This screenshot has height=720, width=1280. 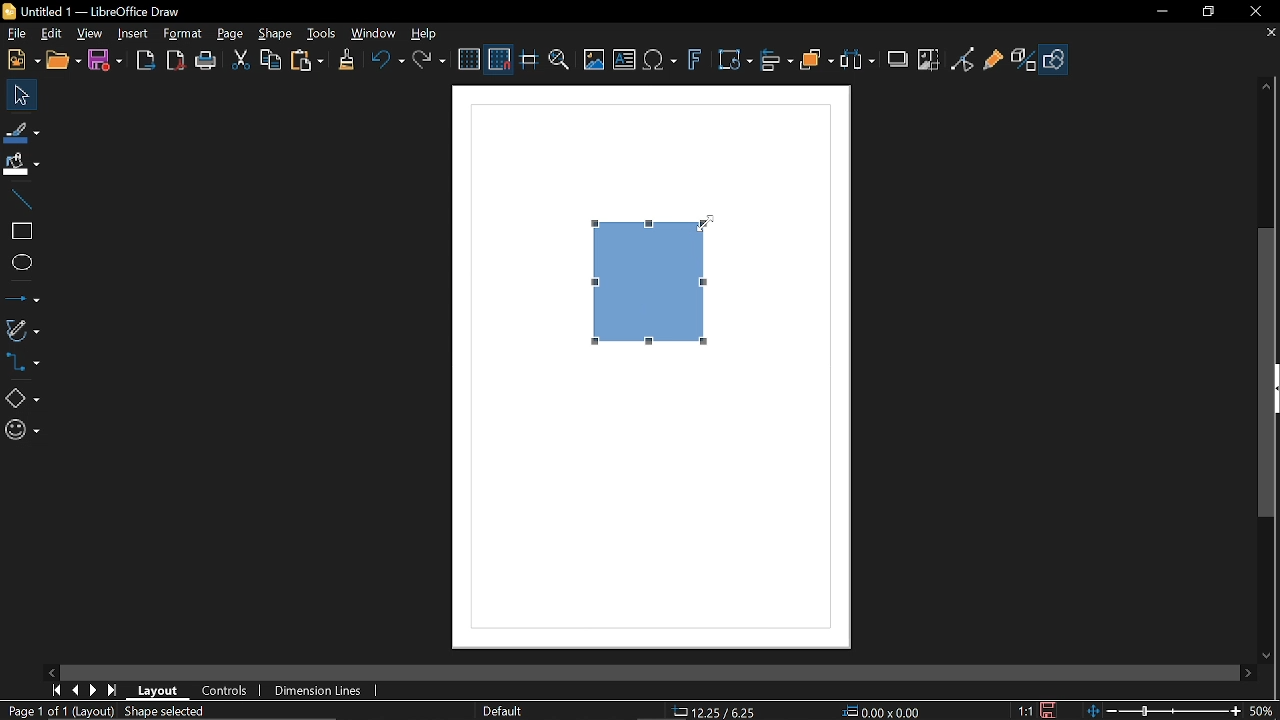 What do you see at coordinates (56, 692) in the screenshot?
I see `First page` at bounding box center [56, 692].